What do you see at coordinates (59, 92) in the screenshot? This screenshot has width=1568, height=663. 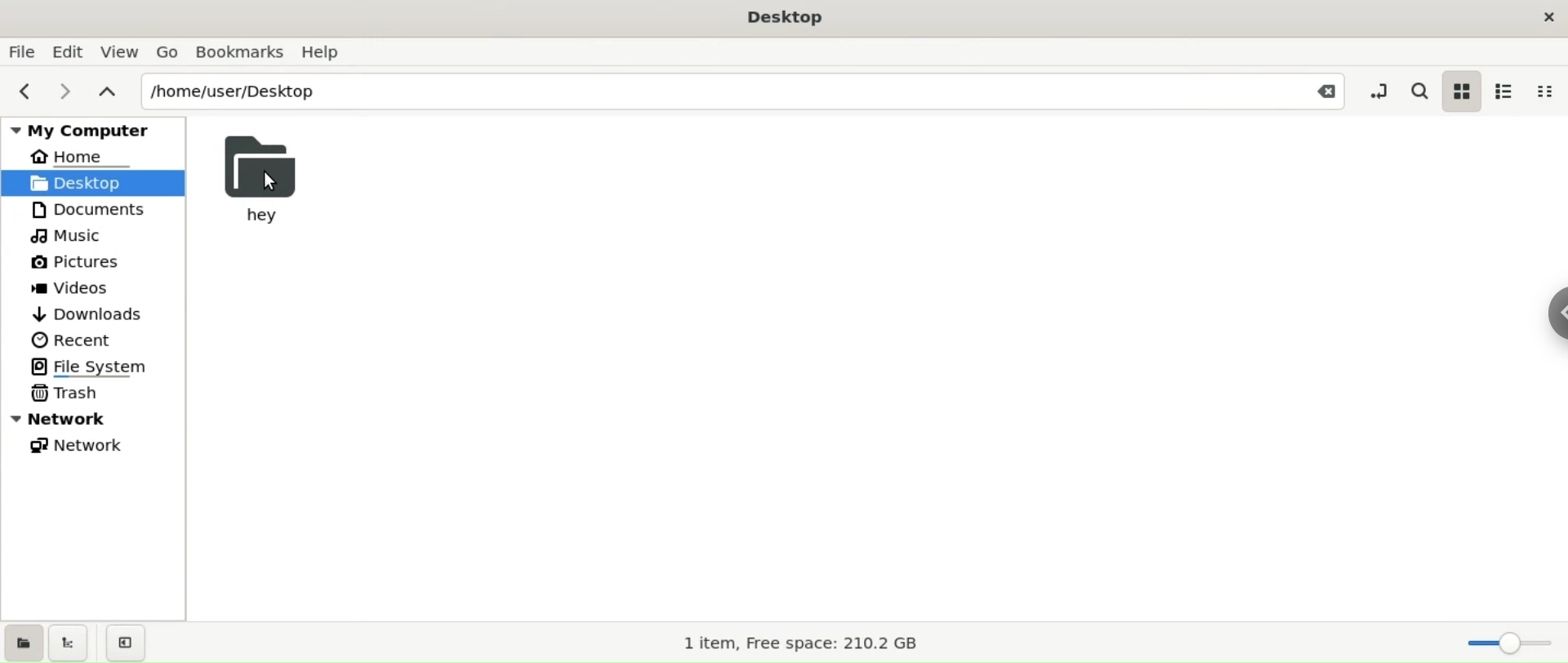 I see `next` at bounding box center [59, 92].